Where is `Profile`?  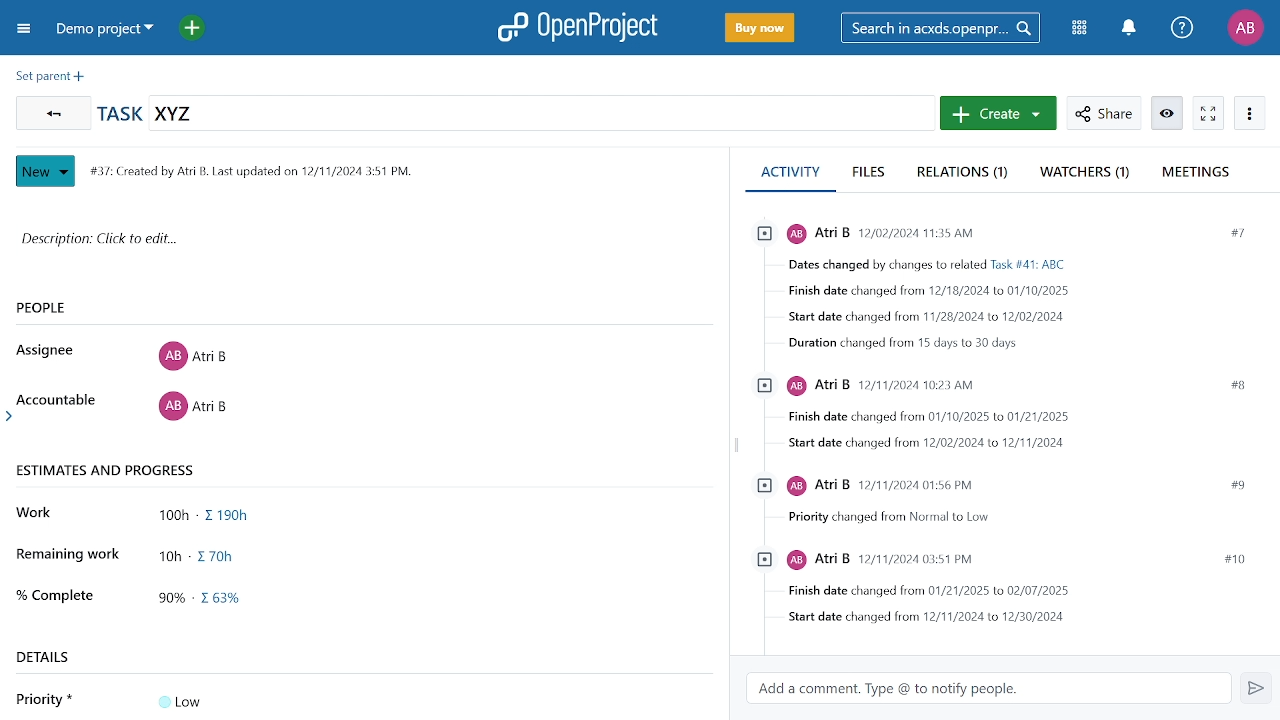
Profile is located at coordinates (1246, 28).